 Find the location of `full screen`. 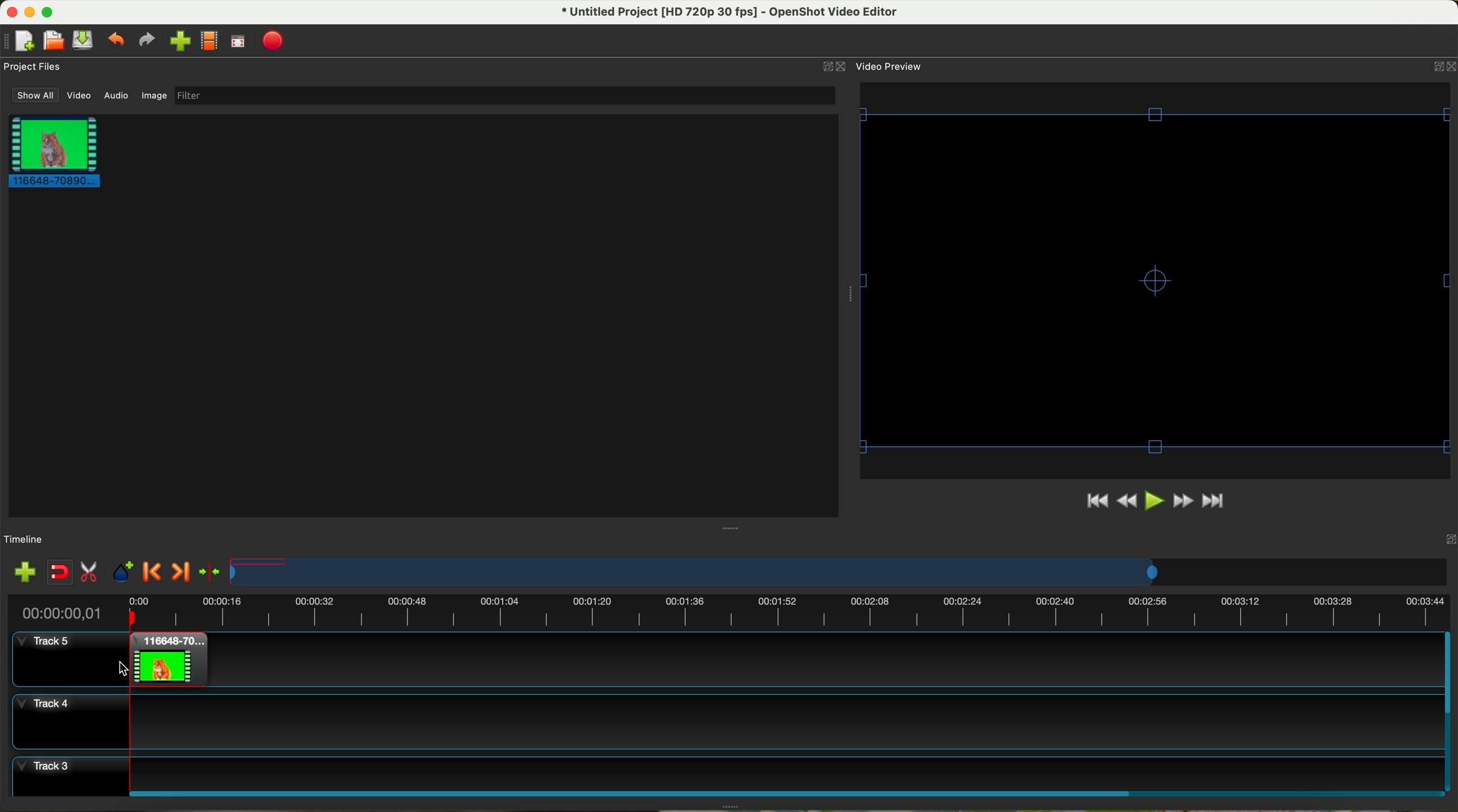

full screen is located at coordinates (238, 41).